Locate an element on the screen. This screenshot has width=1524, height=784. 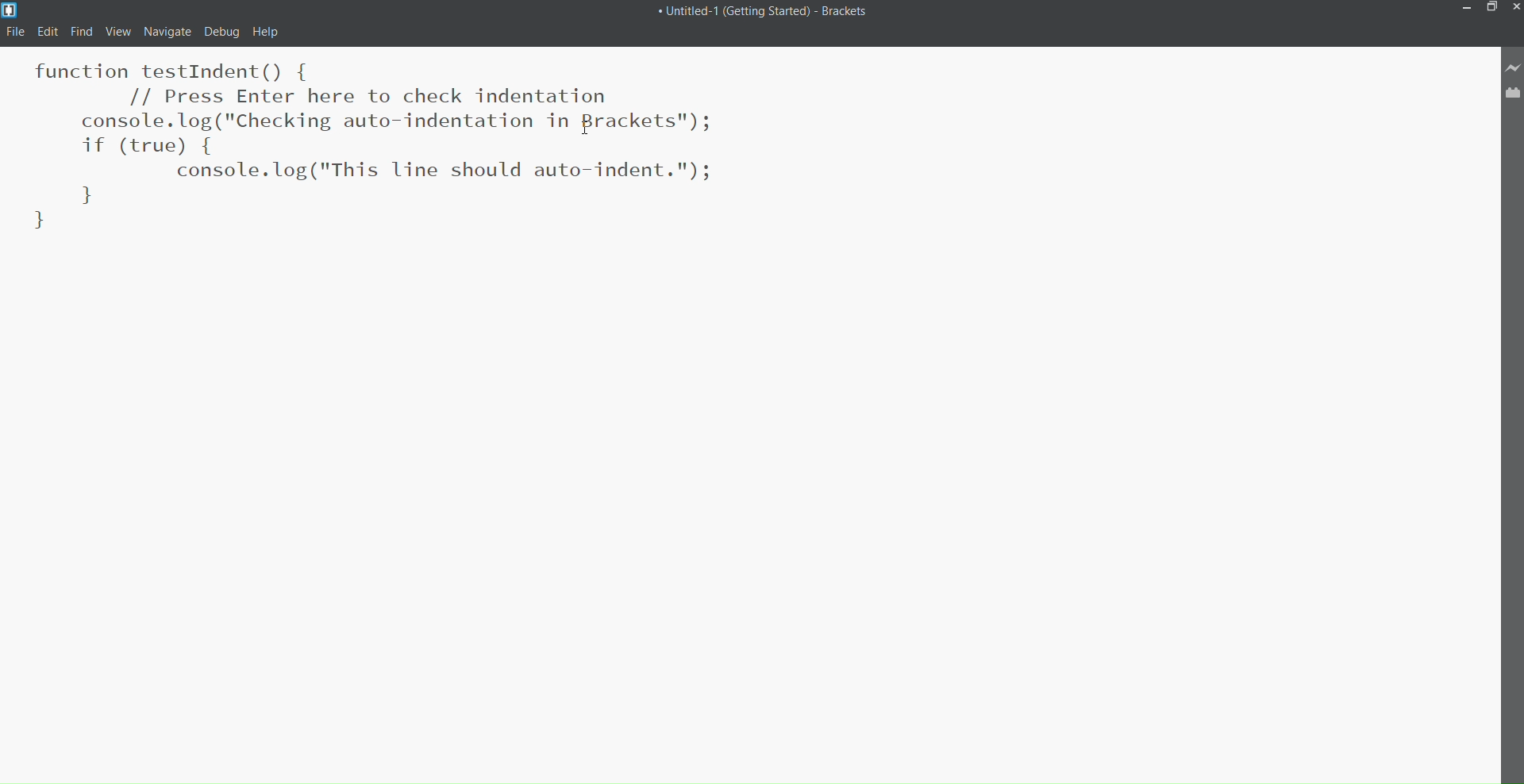
Find is located at coordinates (79, 31).